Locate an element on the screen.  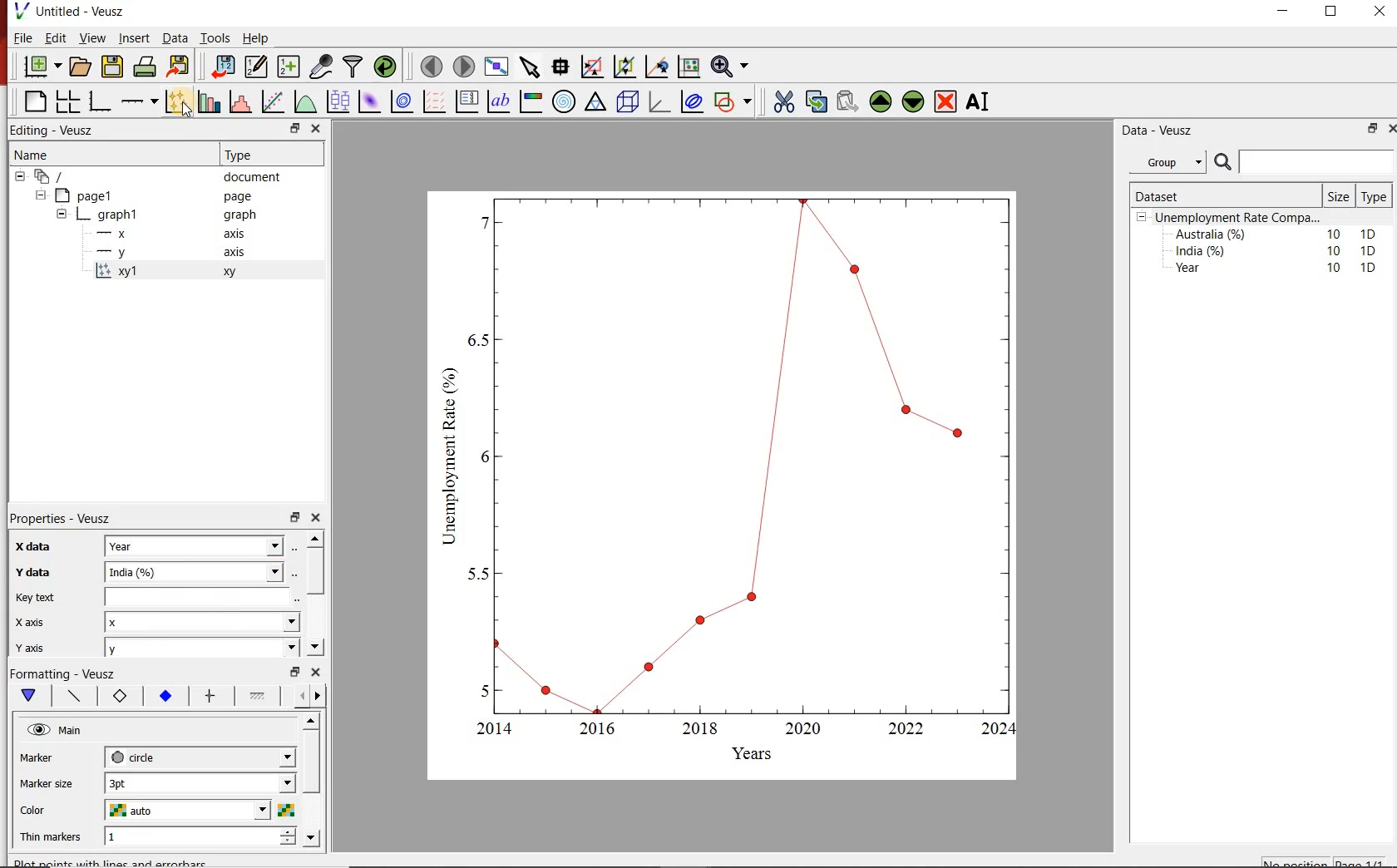
plot box plots is located at coordinates (338, 101).